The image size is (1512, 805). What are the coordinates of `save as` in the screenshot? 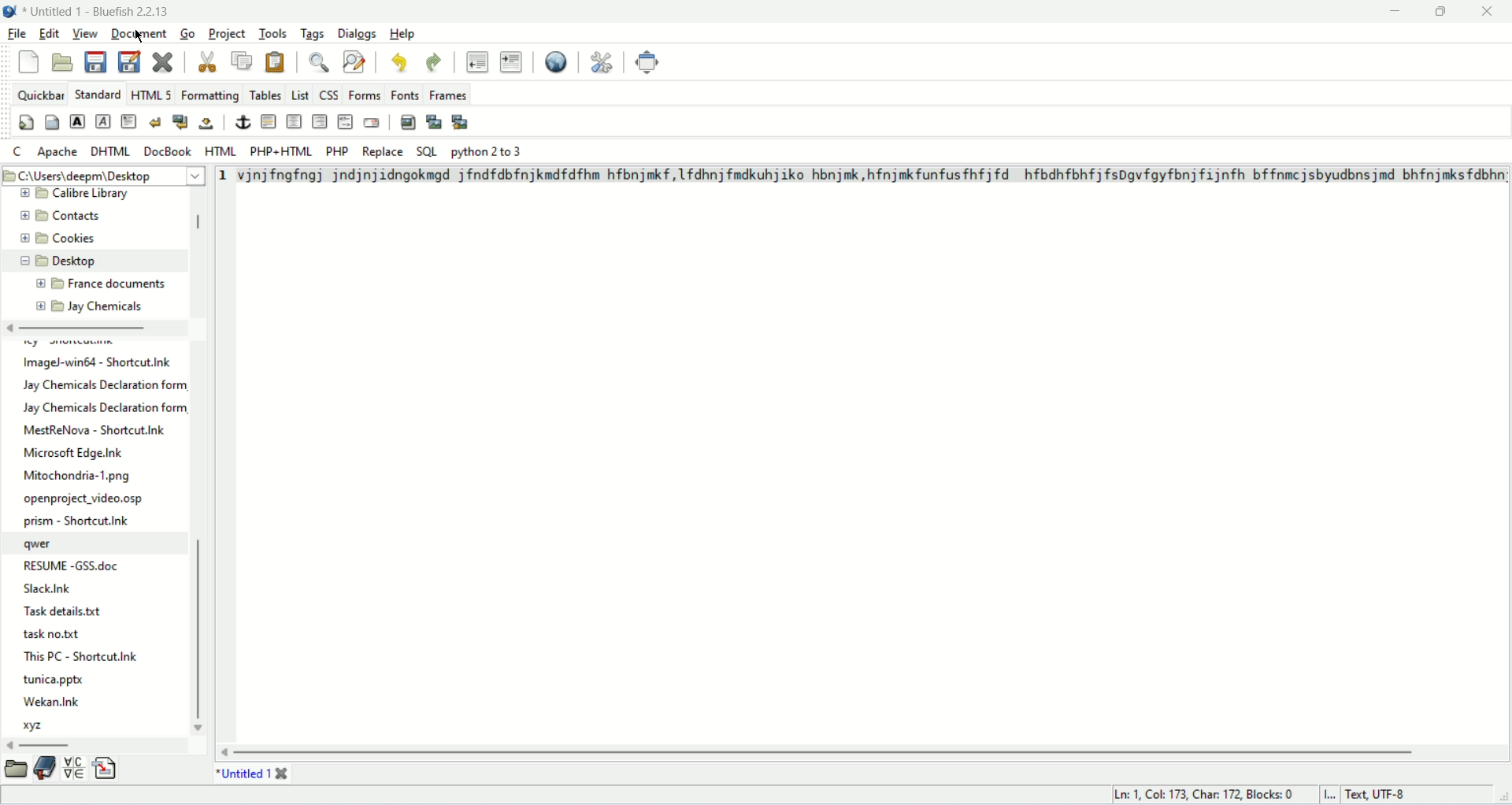 It's located at (129, 61).